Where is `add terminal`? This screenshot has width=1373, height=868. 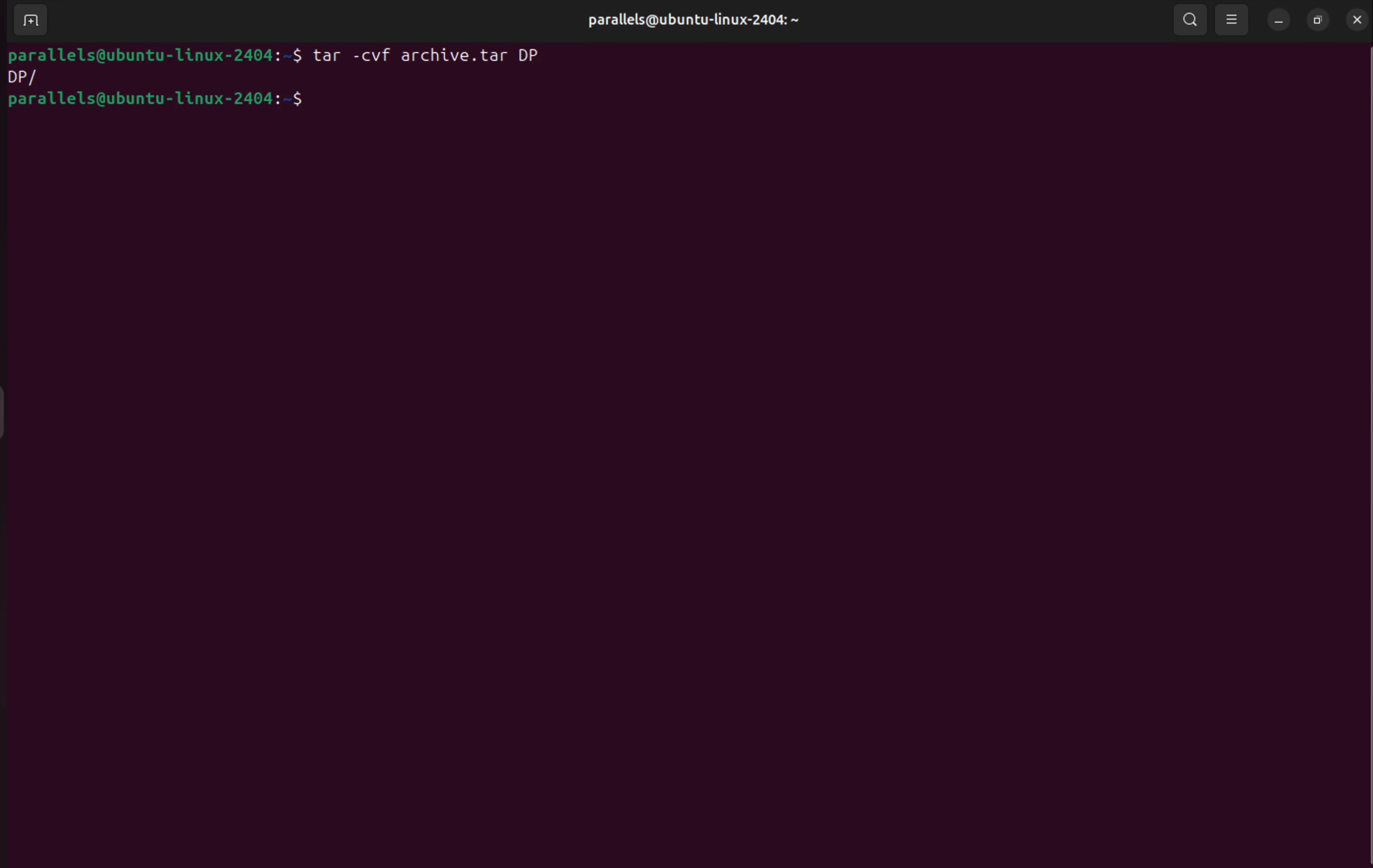
add terminal is located at coordinates (27, 22).